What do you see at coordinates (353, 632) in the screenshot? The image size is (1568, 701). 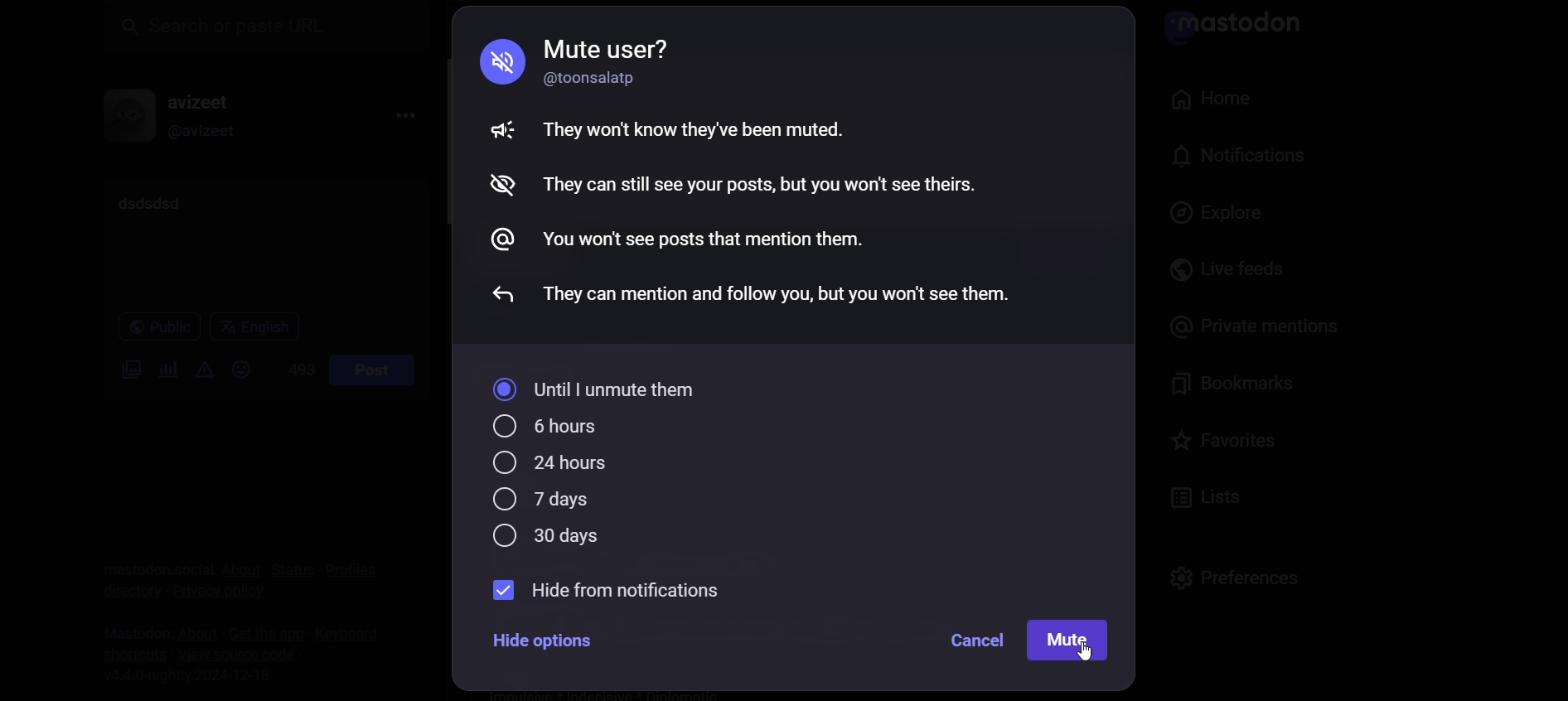 I see `keyboard` at bounding box center [353, 632].